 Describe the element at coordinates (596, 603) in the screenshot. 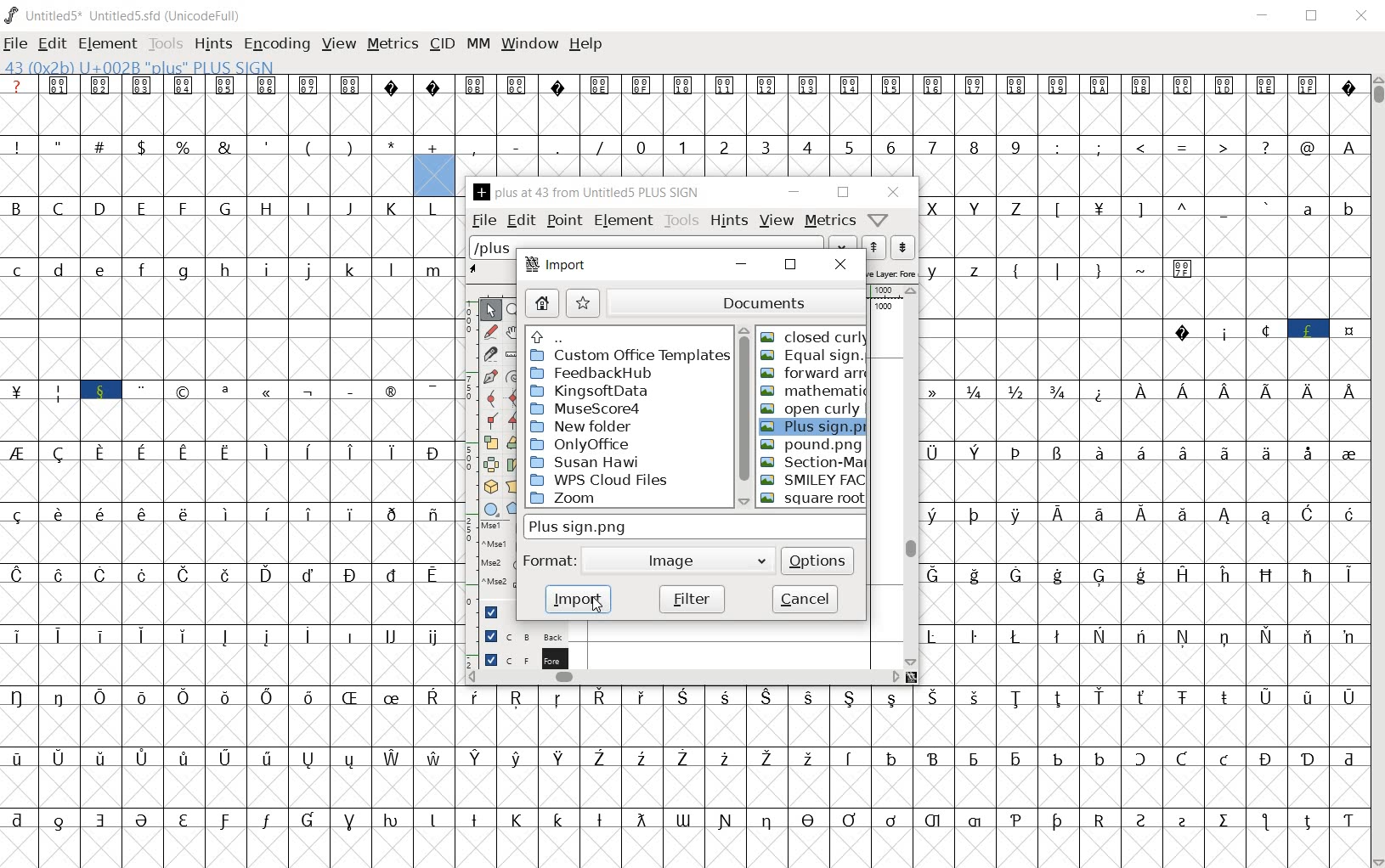

I see `cursor` at that location.